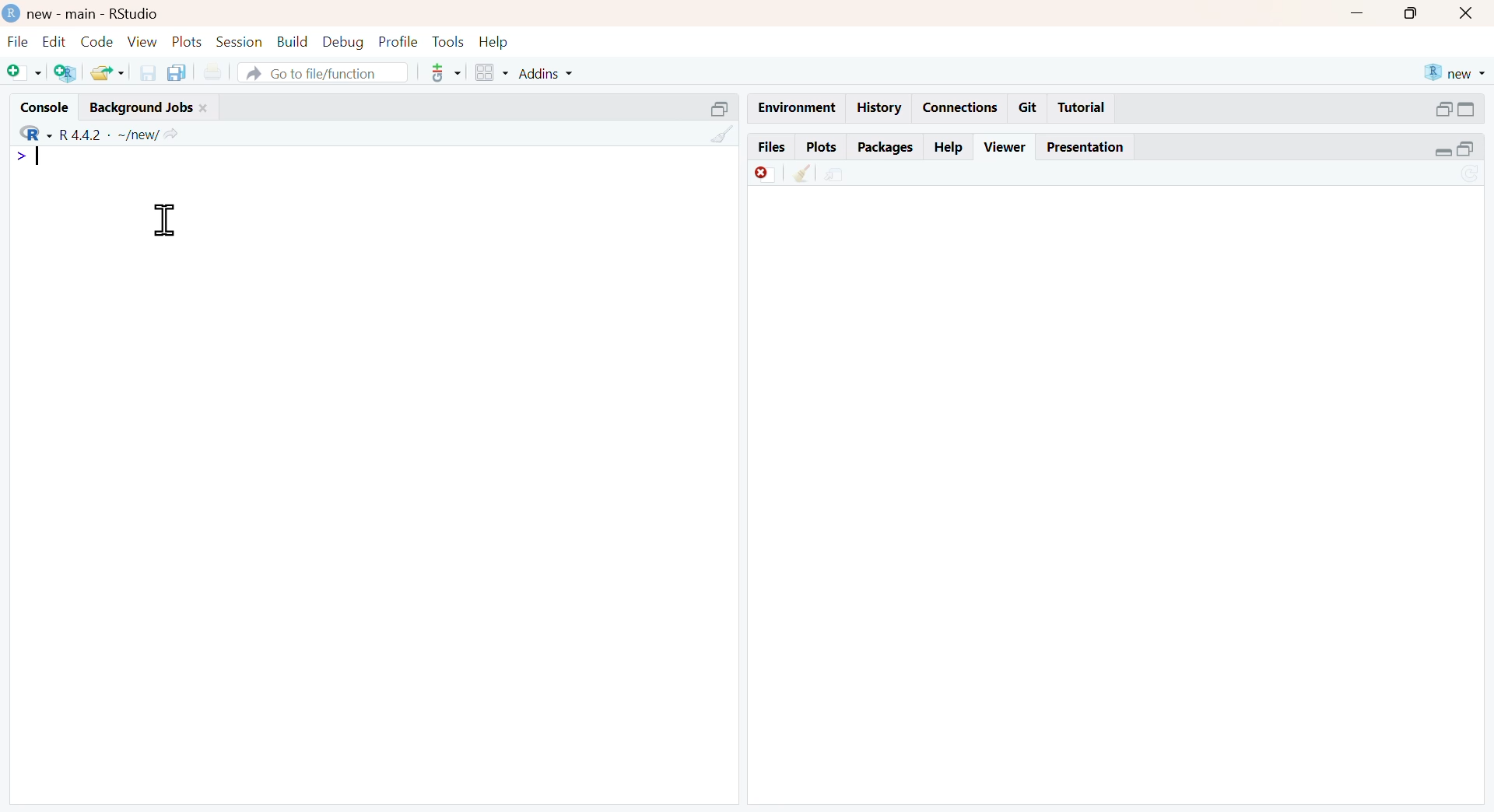 This screenshot has height=812, width=1494. I want to click on new R project, so click(1455, 70).